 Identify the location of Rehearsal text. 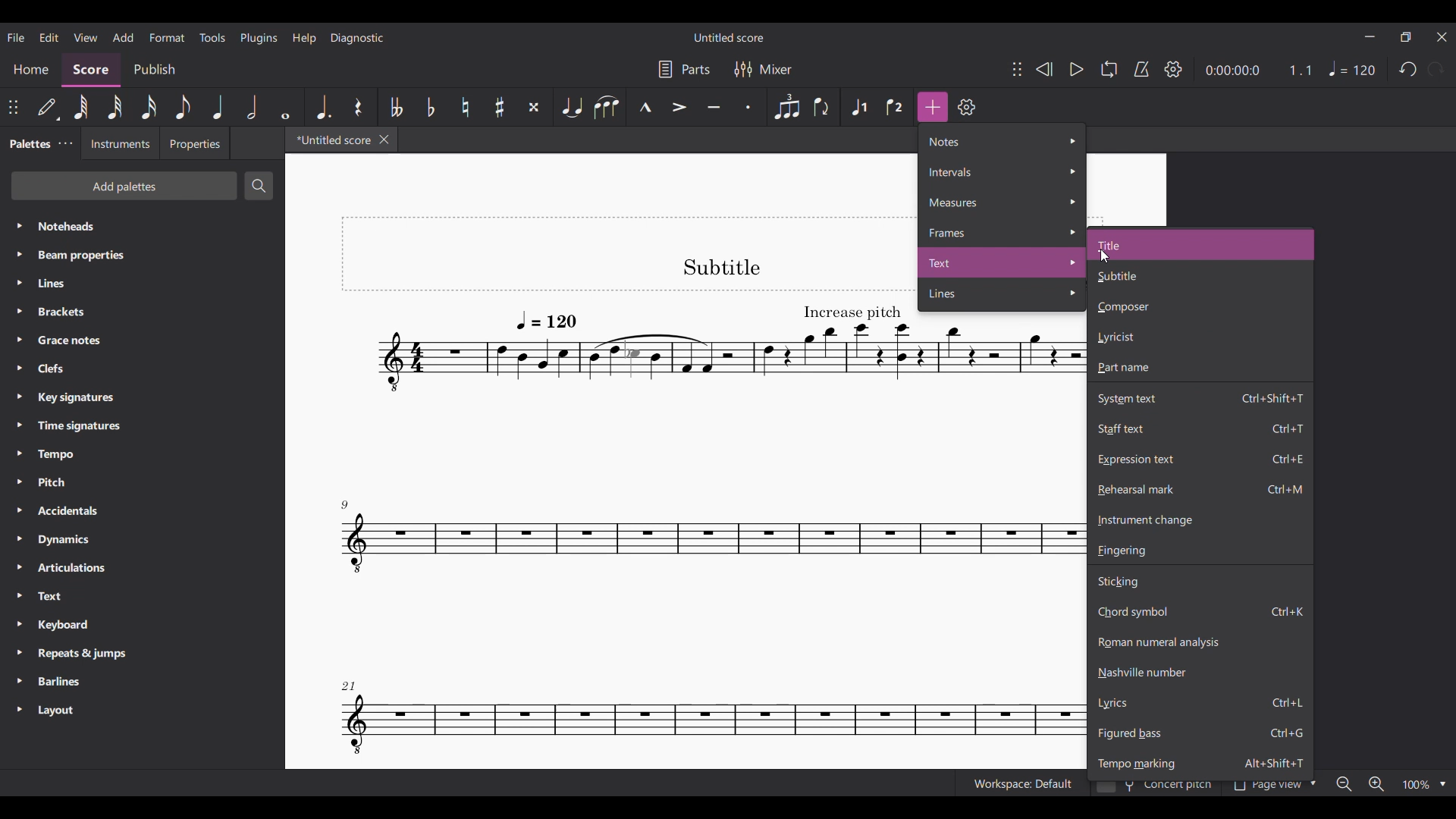
(1201, 489).